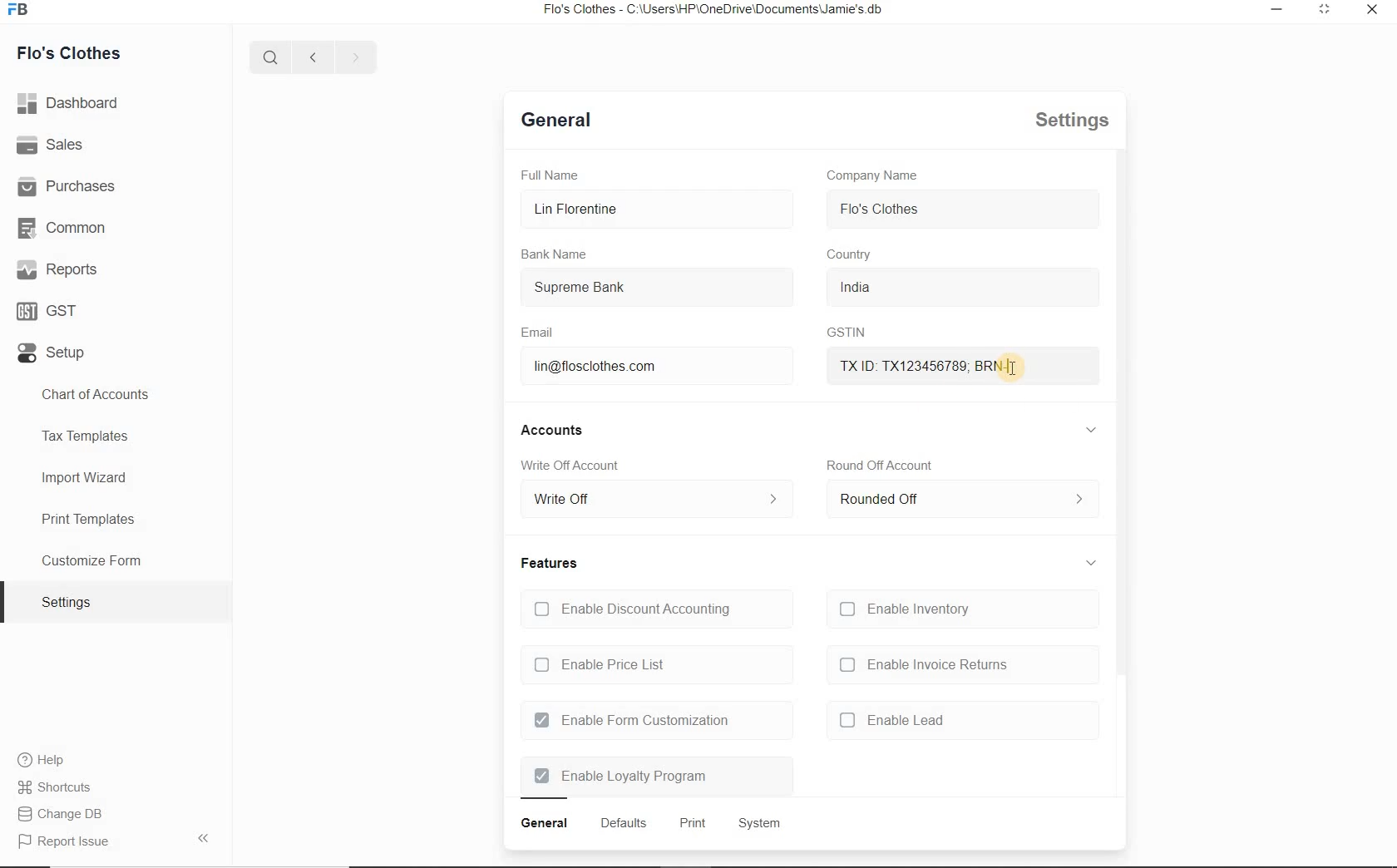  I want to click on Write Off account, so click(575, 467).